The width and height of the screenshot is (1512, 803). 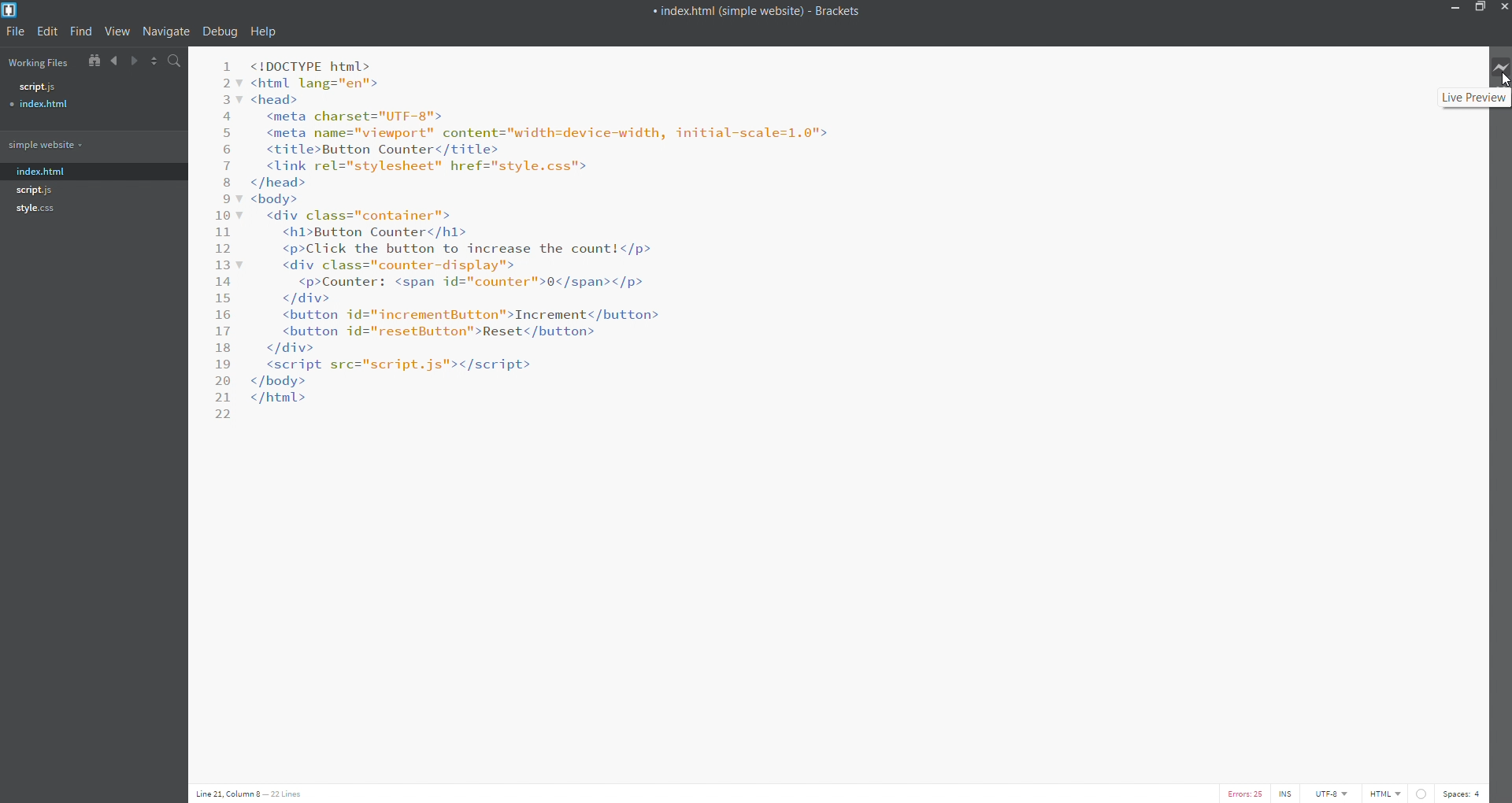 I want to click on encoding type, so click(x=1334, y=794).